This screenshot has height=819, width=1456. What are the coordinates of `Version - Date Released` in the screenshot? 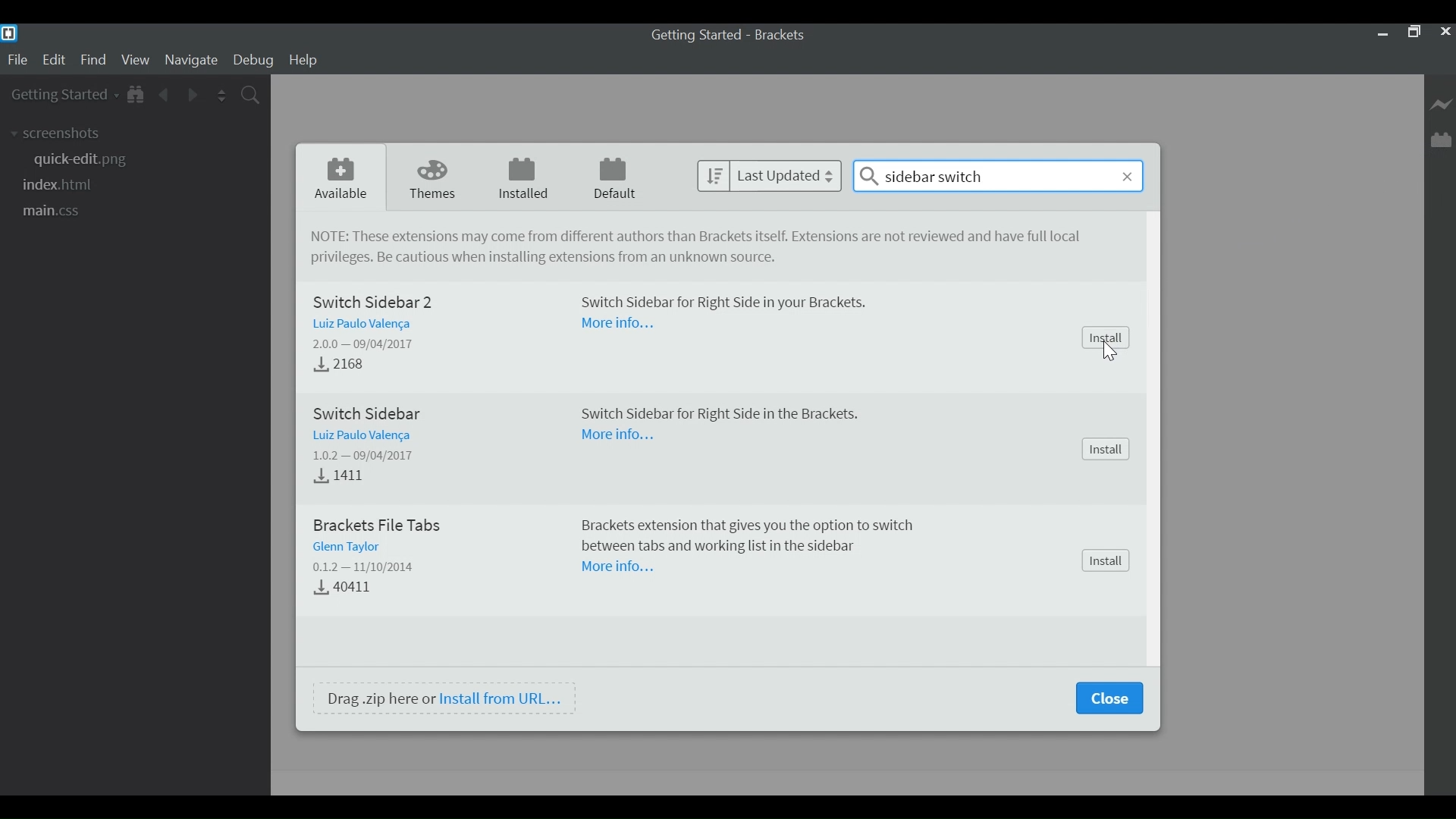 It's located at (368, 567).